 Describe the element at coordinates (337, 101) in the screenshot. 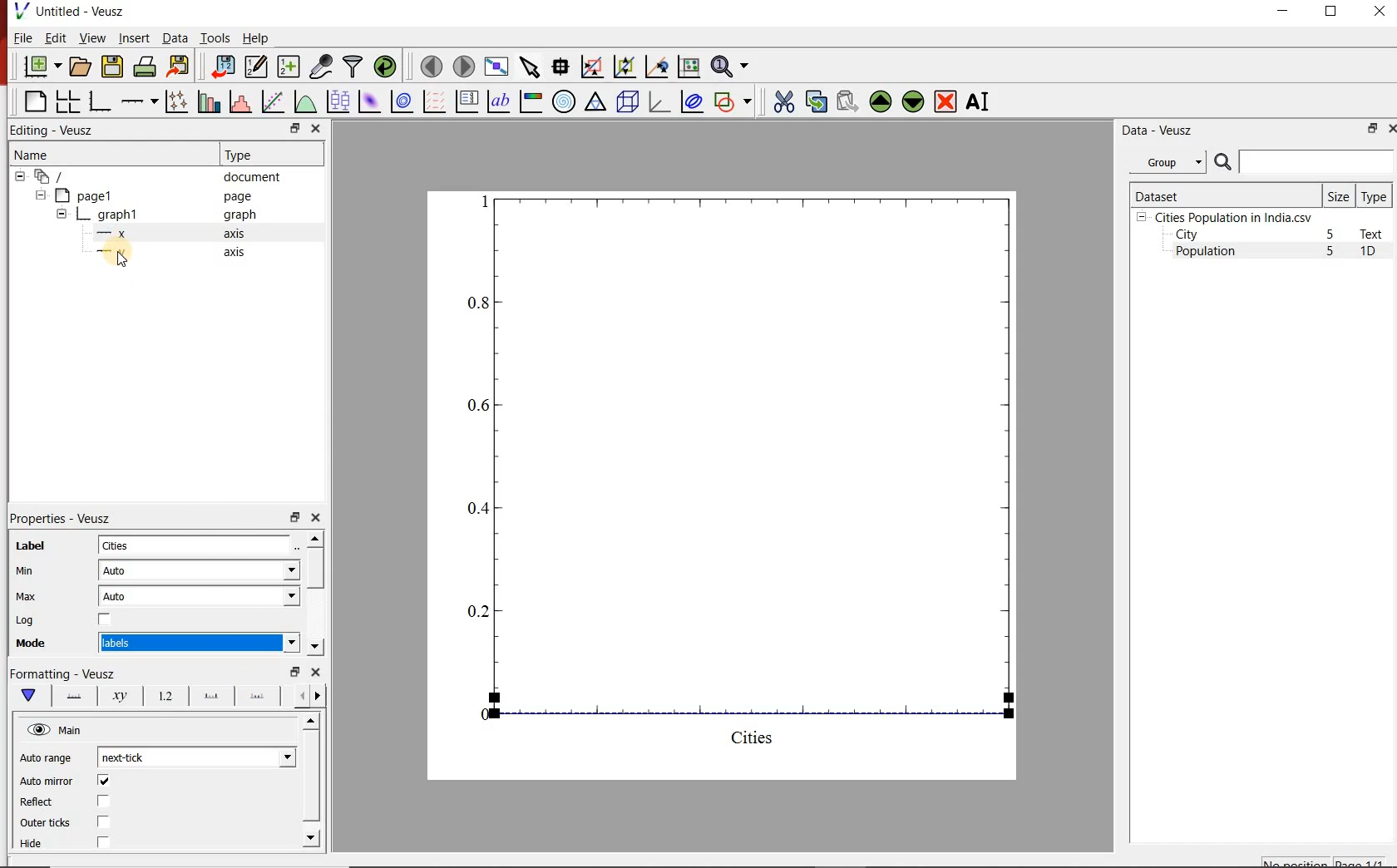

I see `plot box plots` at that location.